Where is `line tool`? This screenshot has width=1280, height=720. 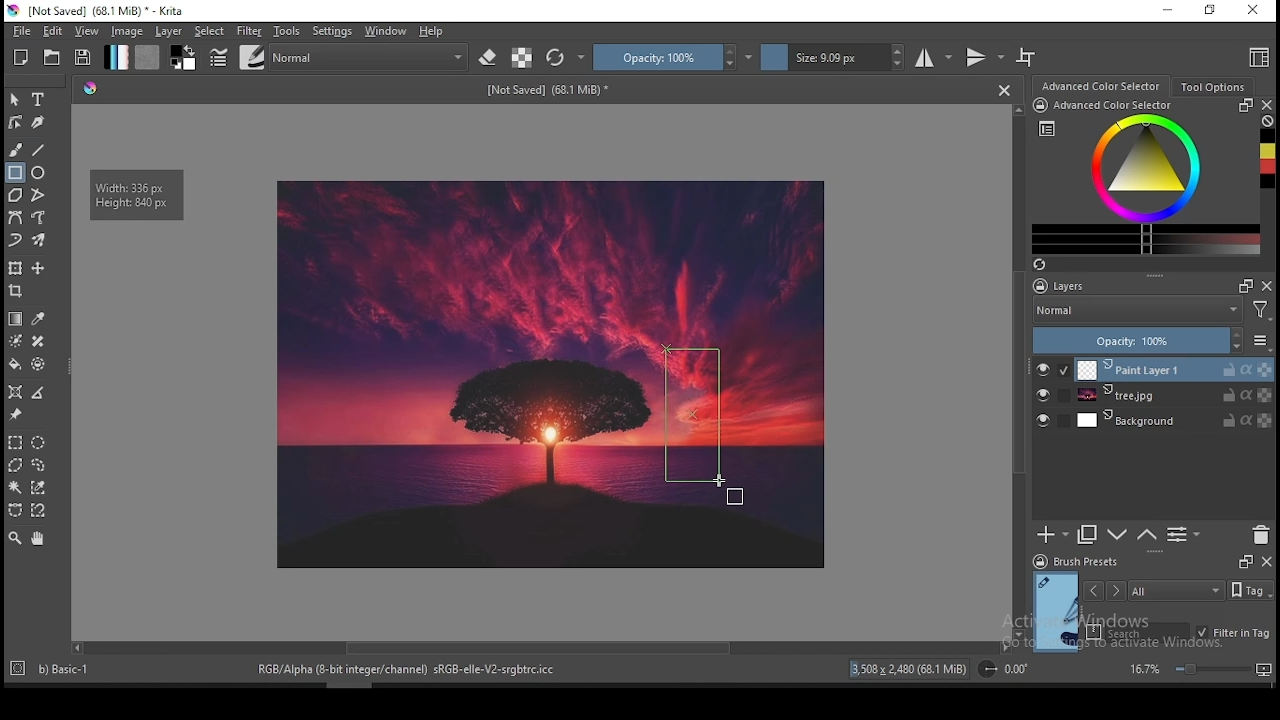 line tool is located at coordinates (41, 149).